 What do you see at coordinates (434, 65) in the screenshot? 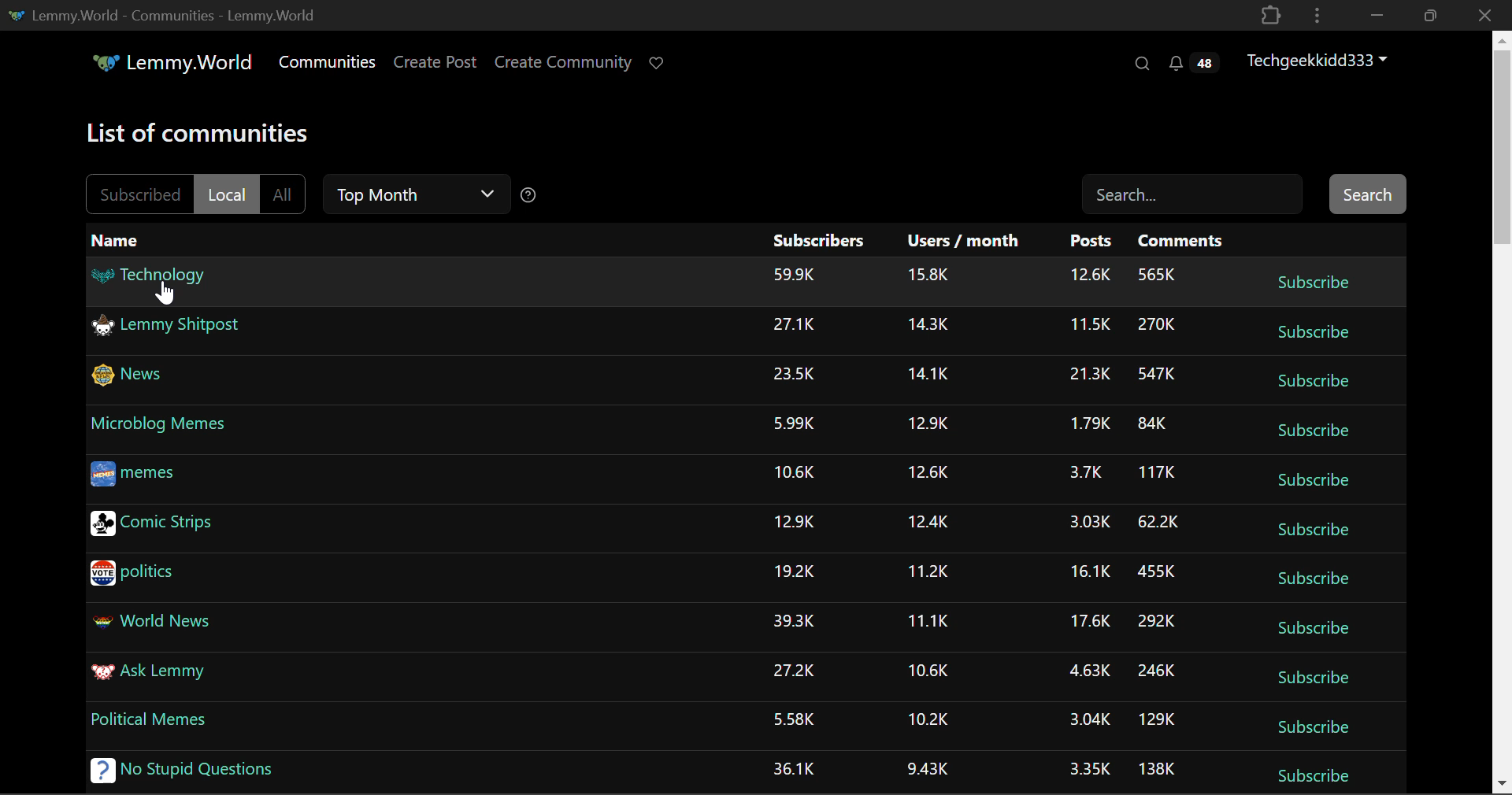
I see `Create Post` at bounding box center [434, 65].